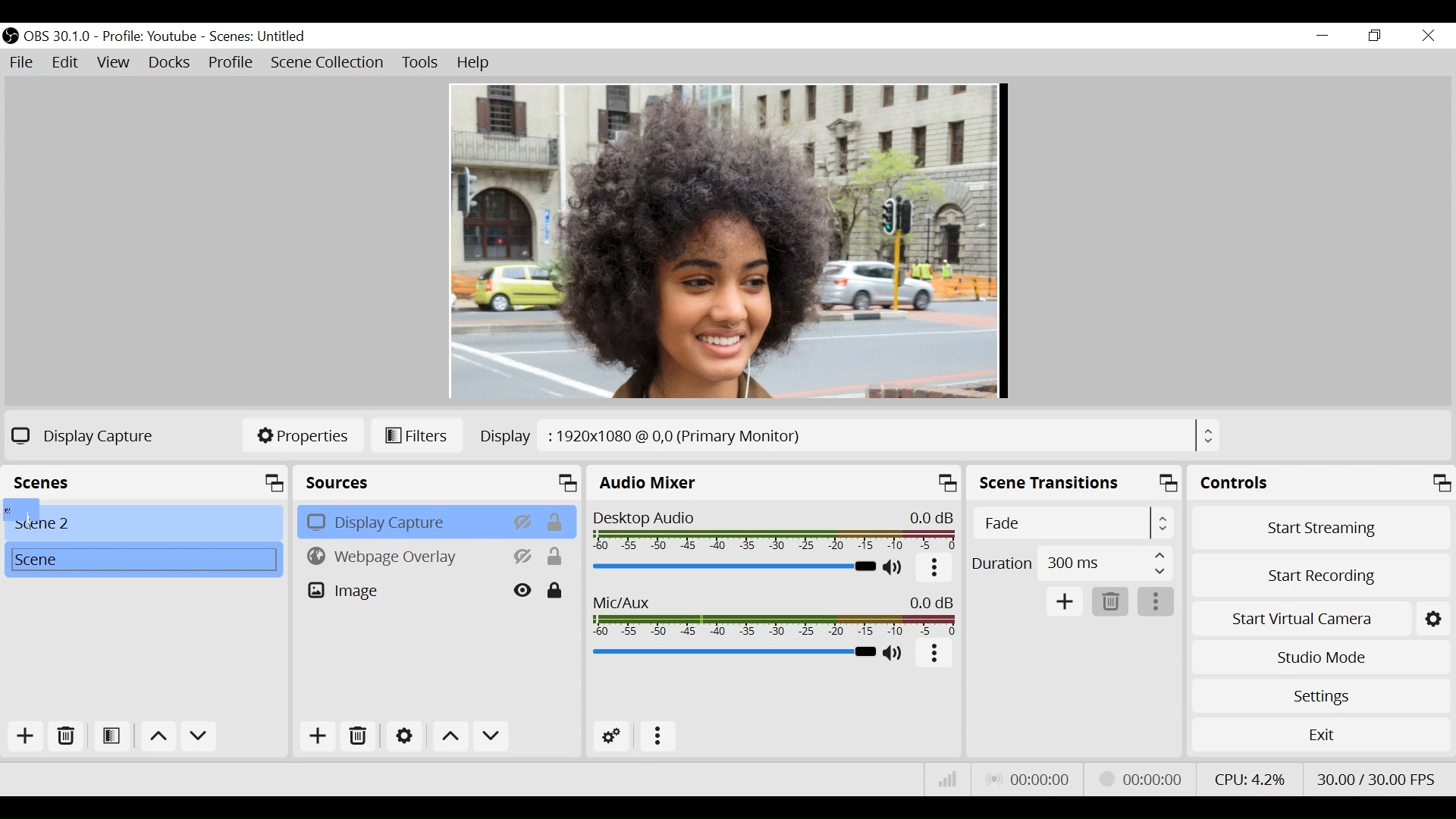 The image size is (1456, 819). Describe the element at coordinates (358, 734) in the screenshot. I see `Delete` at that location.